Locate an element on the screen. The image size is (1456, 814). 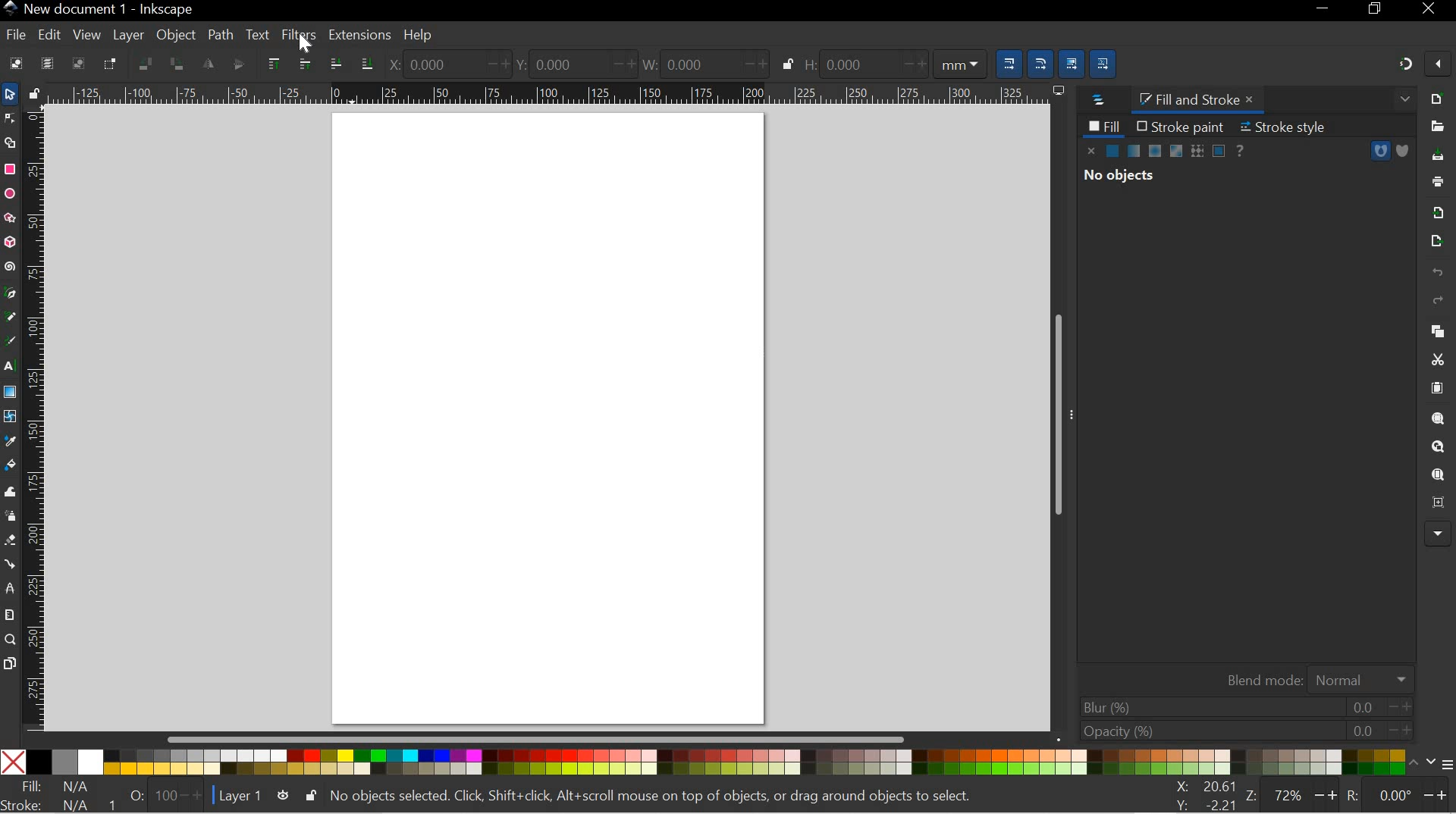
MOVE GRADIENTS is located at coordinates (1073, 61).